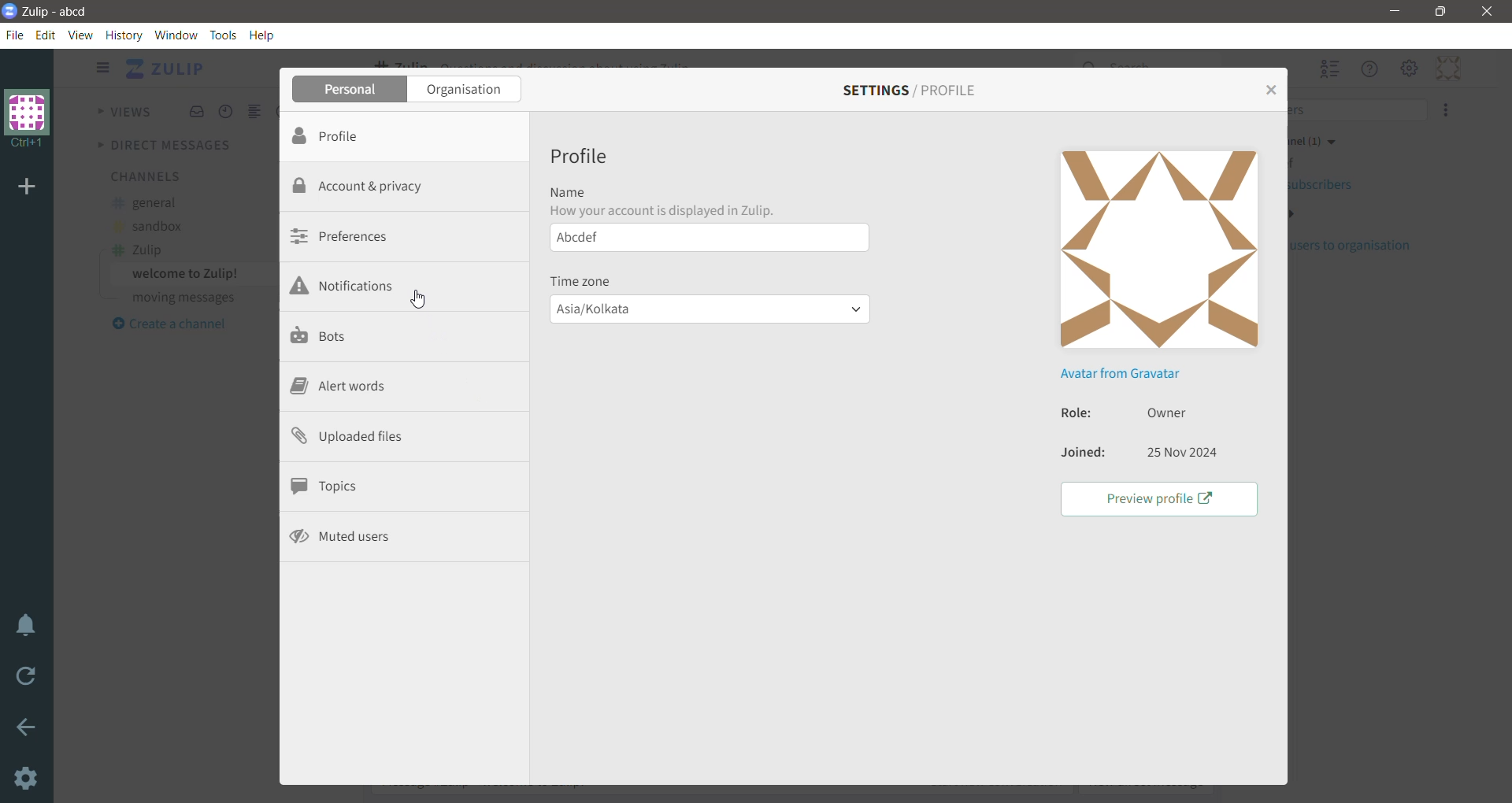 The height and width of the screenshot is (803, 1512). What do you see at coordinates (28, 779) in the screenshot?
I see `Settings` at bounding box center [28, 779].